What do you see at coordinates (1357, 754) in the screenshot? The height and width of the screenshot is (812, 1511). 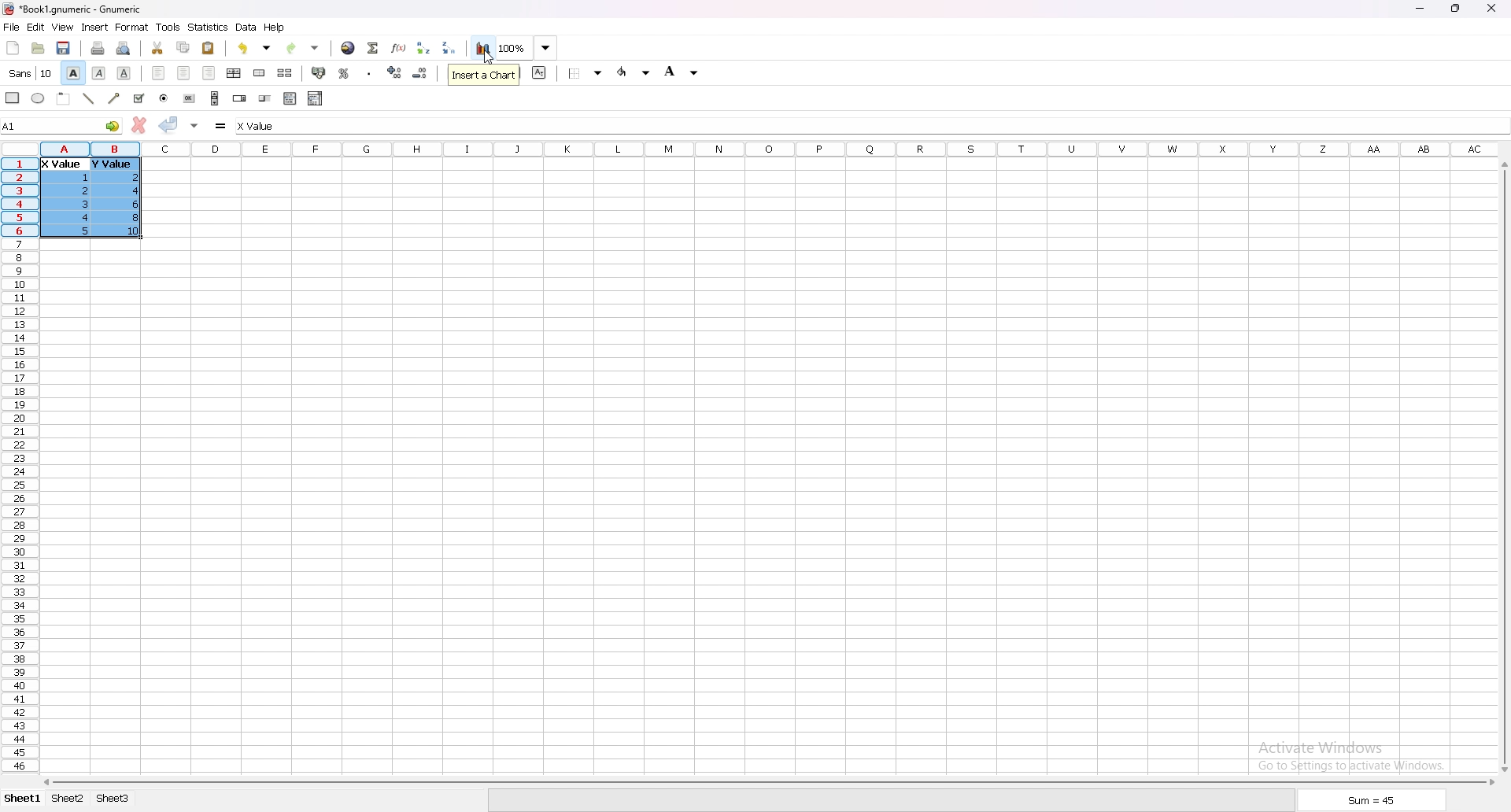 I see `activate windows` at bounding box center [1357, 754].